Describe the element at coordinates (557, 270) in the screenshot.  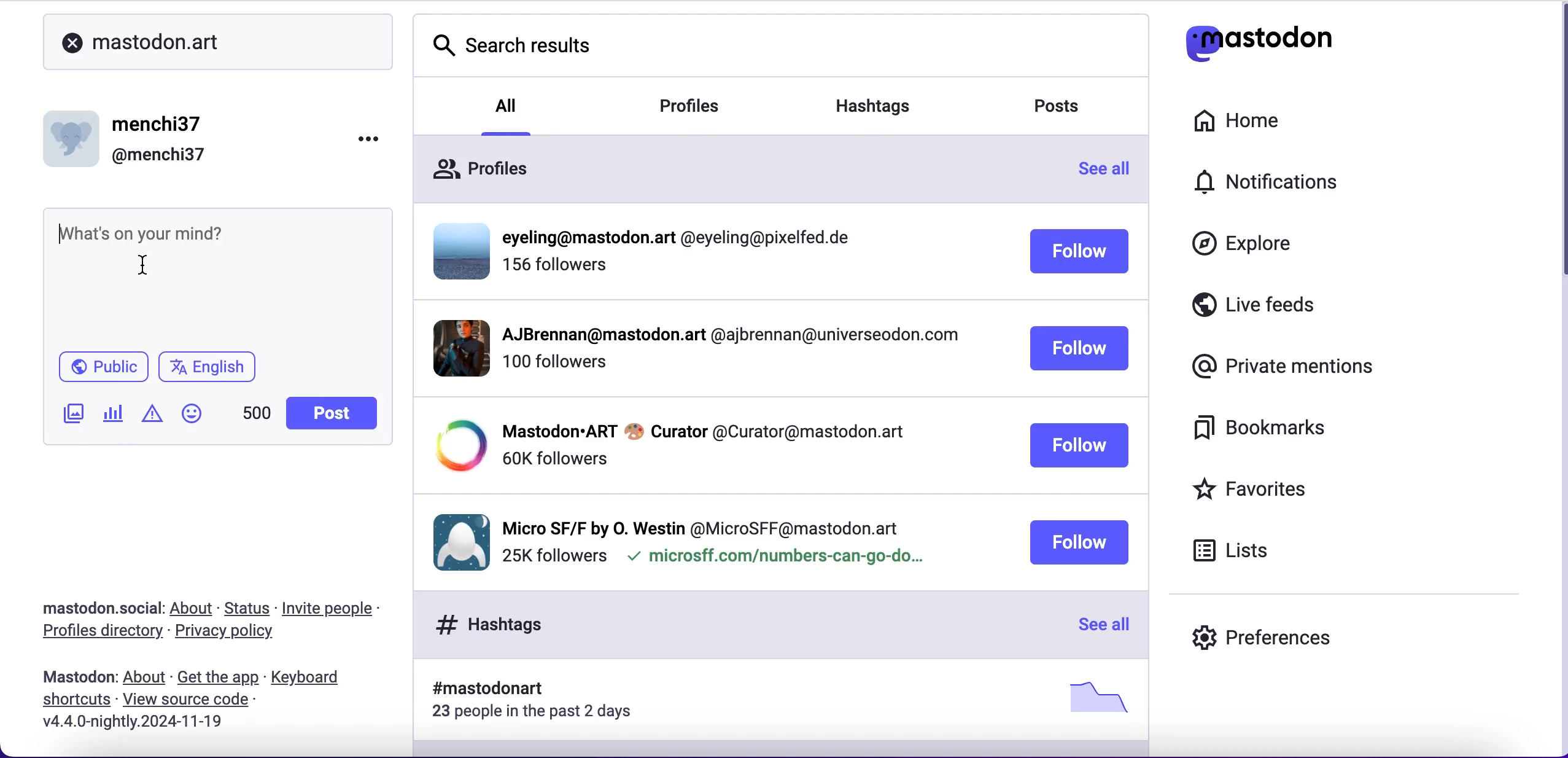
I see `followers` at that location.